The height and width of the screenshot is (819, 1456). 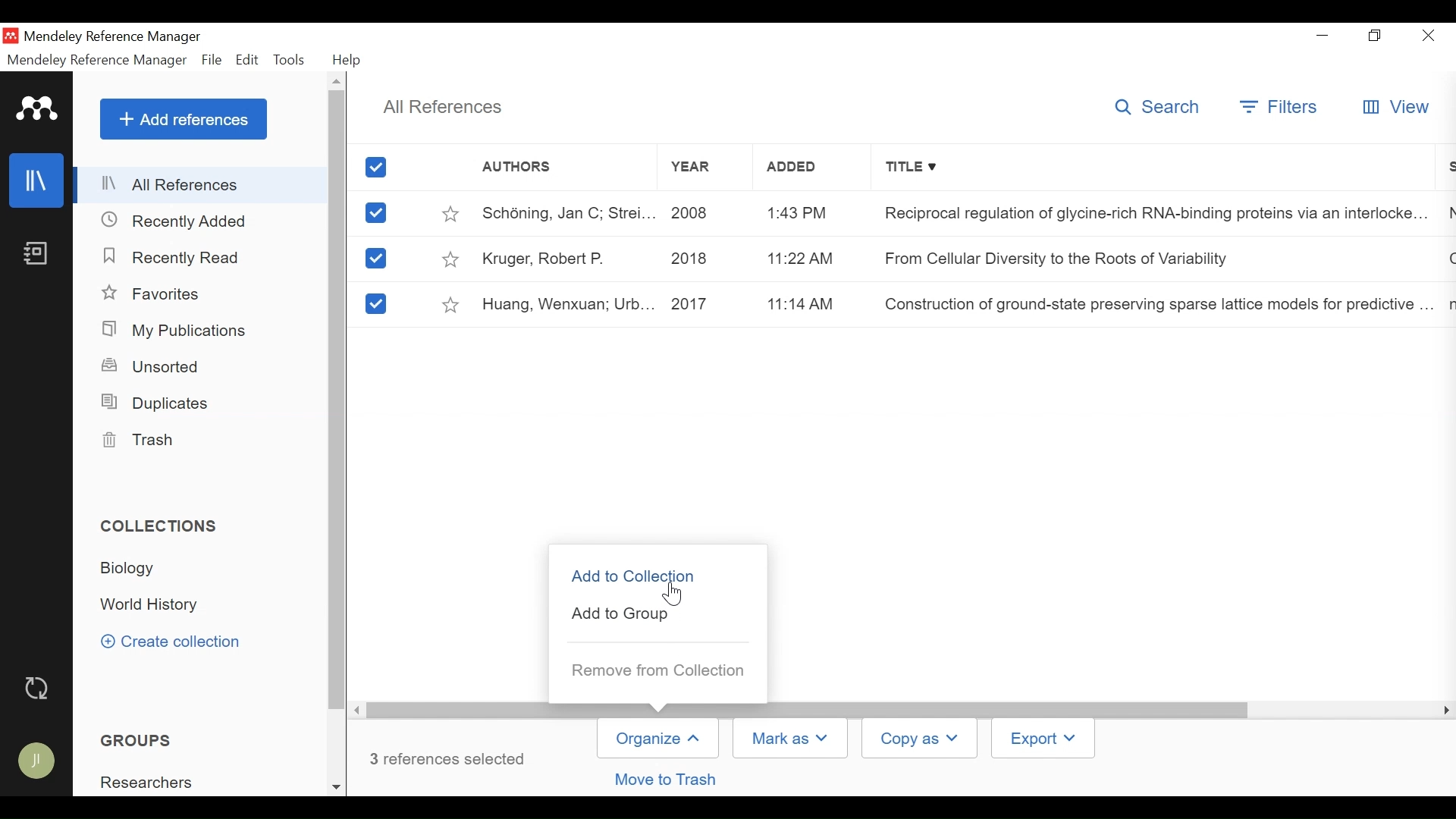 What do you see at coordinates (376, 213) in the screenshot?
I see `(un)select` at bounding box center [376, 213].